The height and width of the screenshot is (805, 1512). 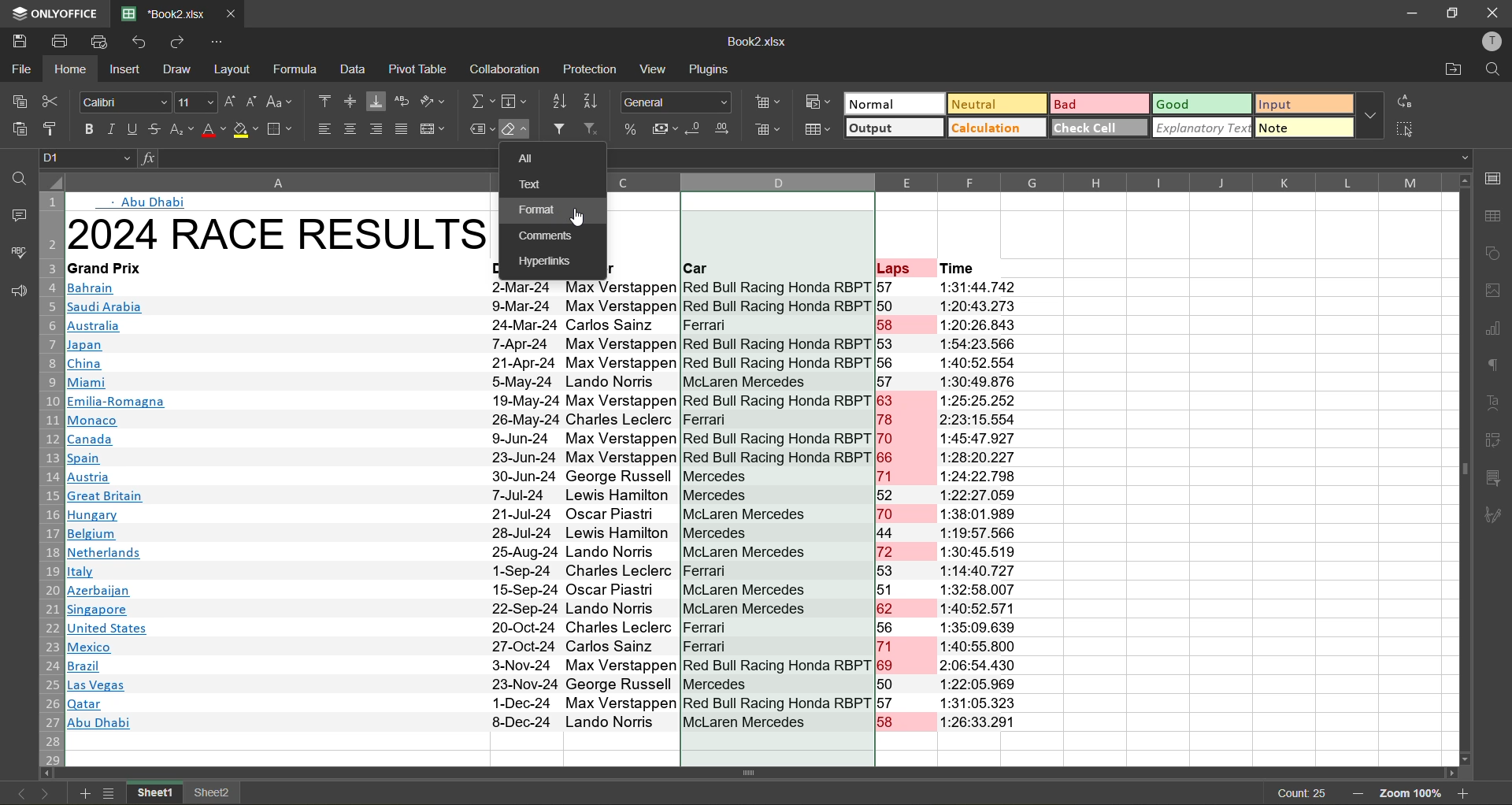 I want to click on italic, so click(x=113, y=130).